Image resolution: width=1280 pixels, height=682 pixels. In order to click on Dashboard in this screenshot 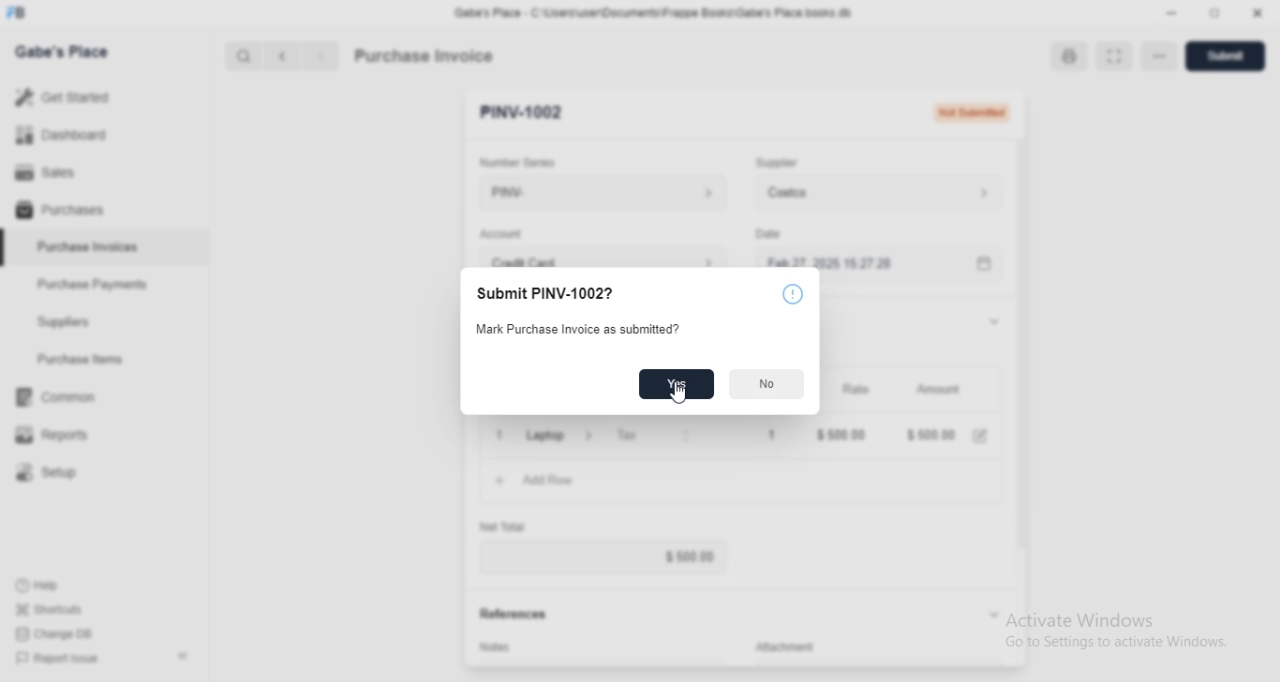, I will do `click(104, 134)`.